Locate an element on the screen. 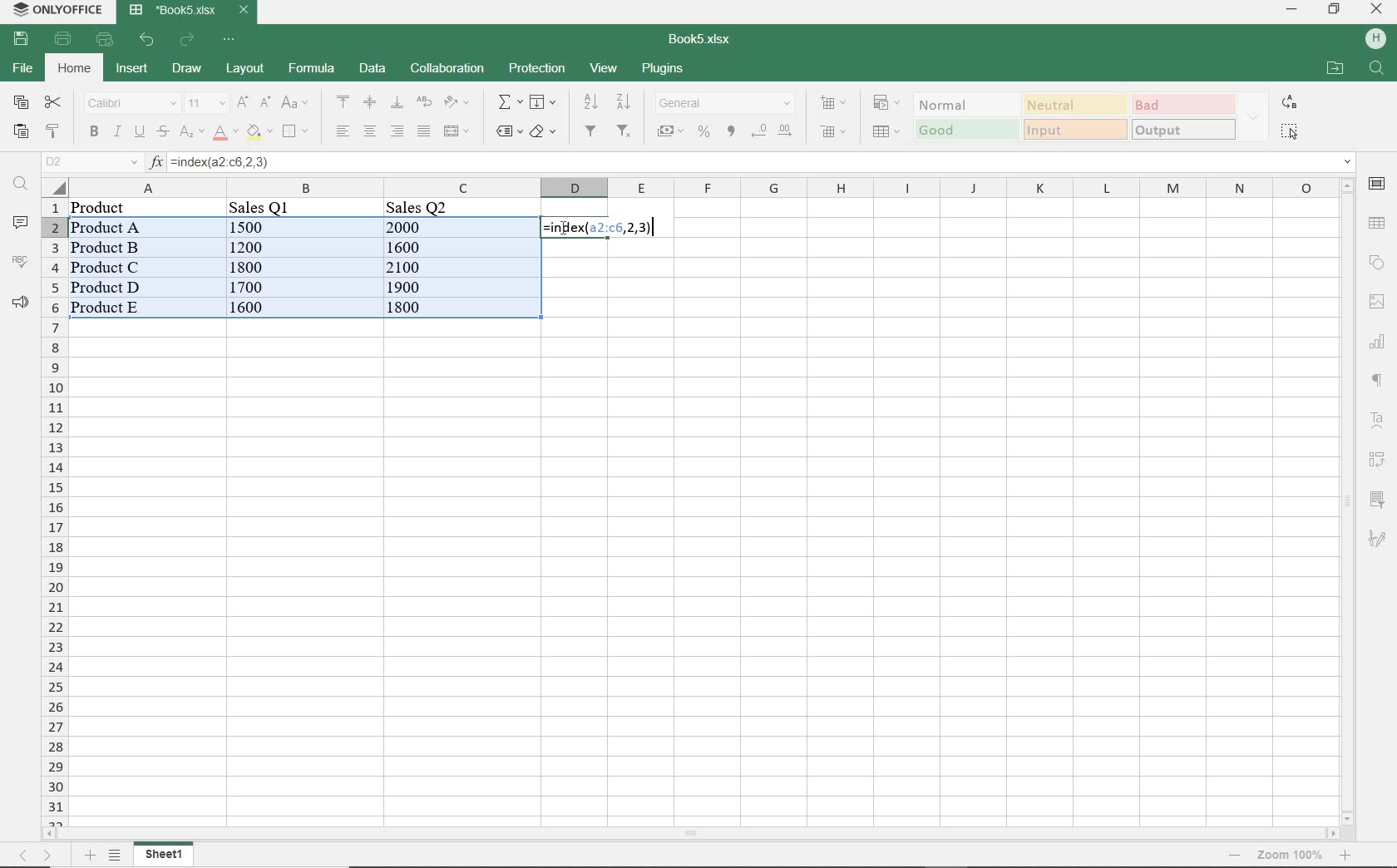 Image resolution: width=1397 pixels, height=868 pixels. borders is located at coordinates (294, 131).